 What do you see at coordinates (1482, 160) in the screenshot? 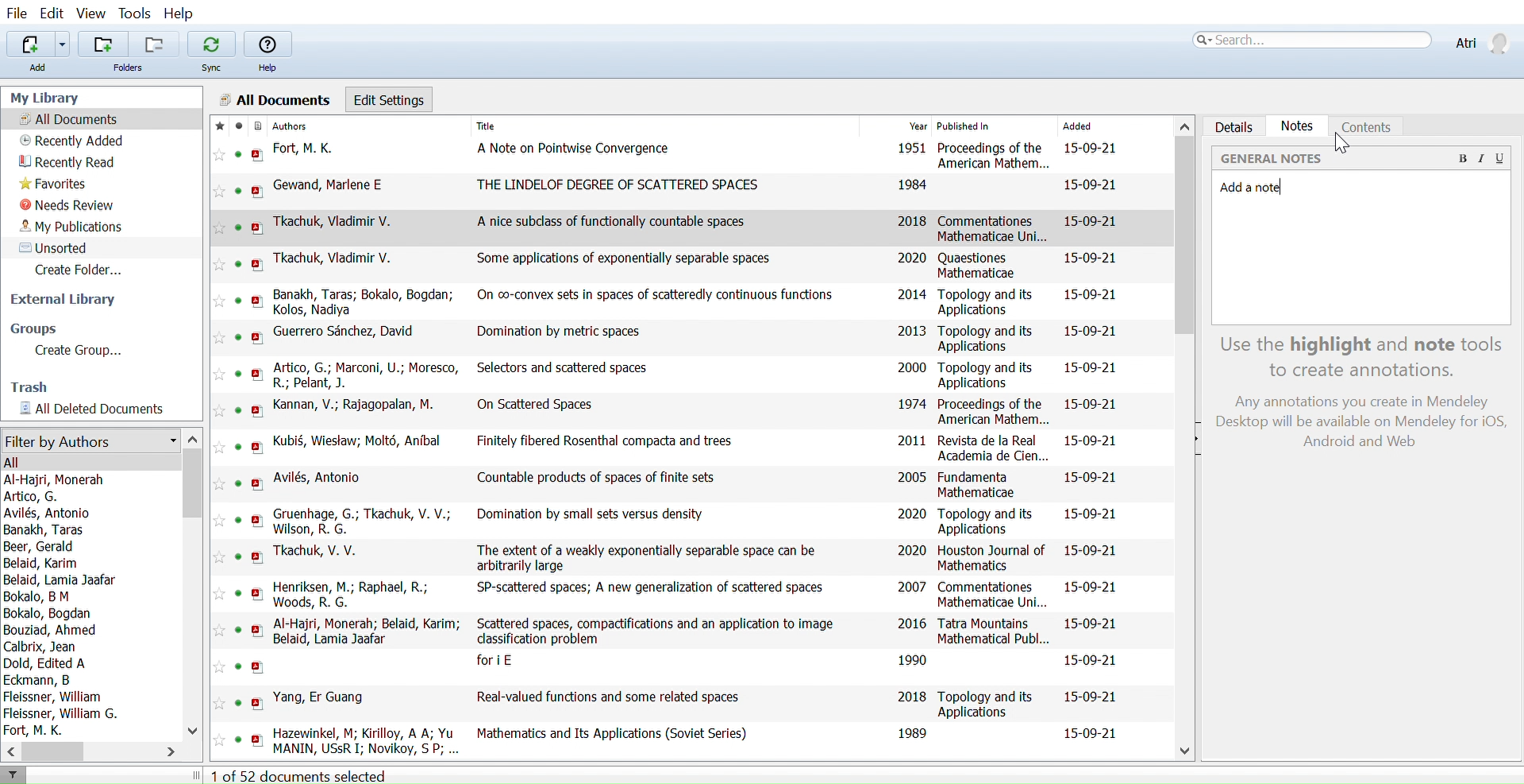
I see `Italic` at bounding box center [1482, 160].